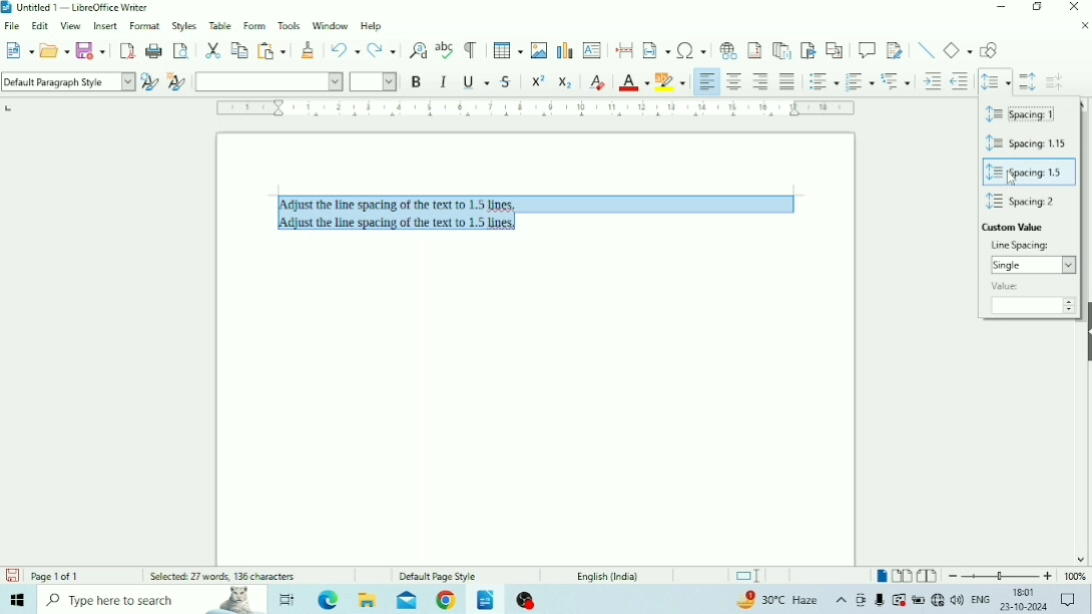  What do you see at coordinates (593, 50) in the screenshot?
I see `Insert Text Box` at bounding box center [593, 50].